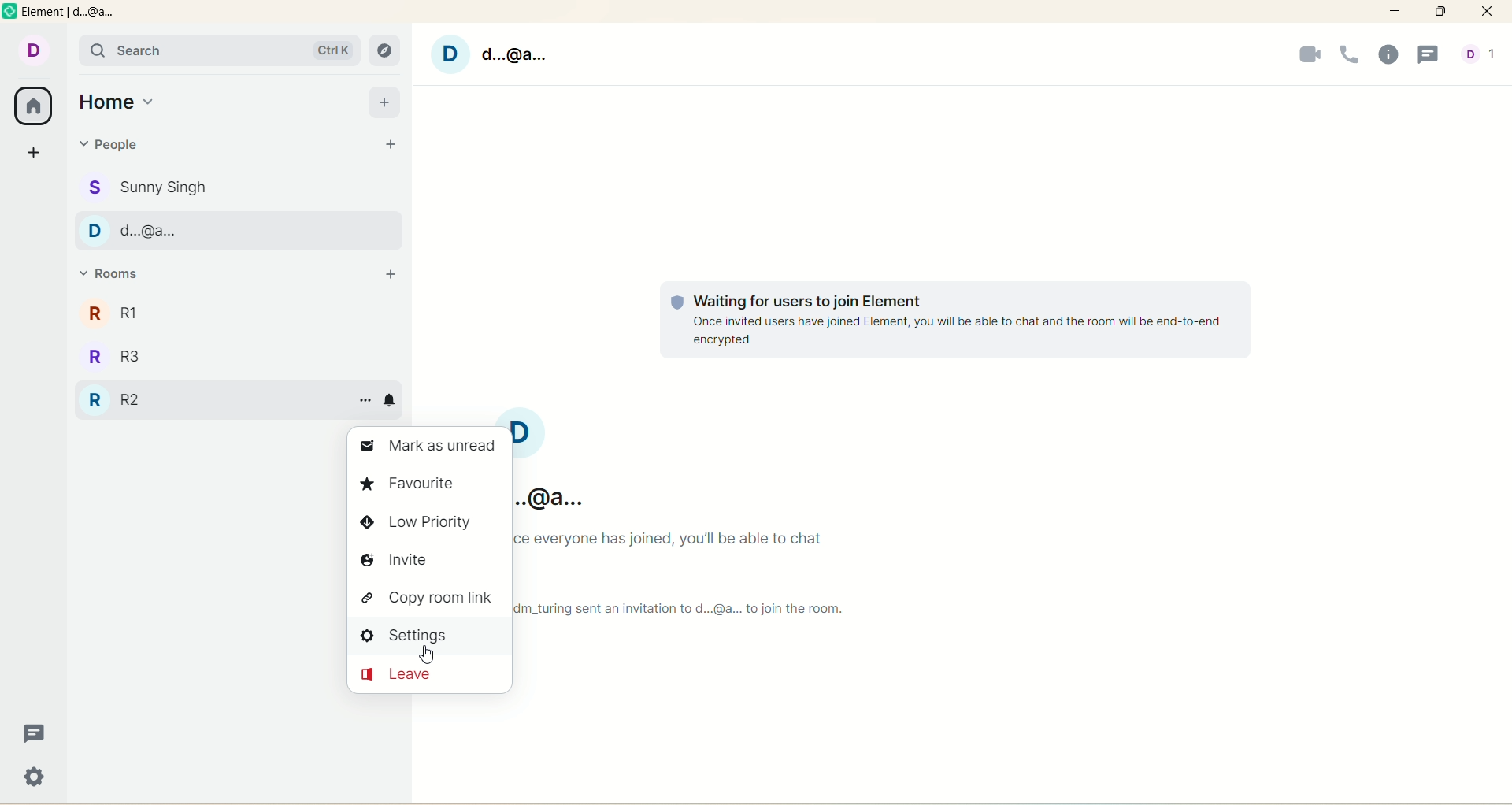 The image size is (1512, 805). What do you see at coordinates (1428, 57) in the screenshot?
I see `threads` at bounding box center [1428, 57].